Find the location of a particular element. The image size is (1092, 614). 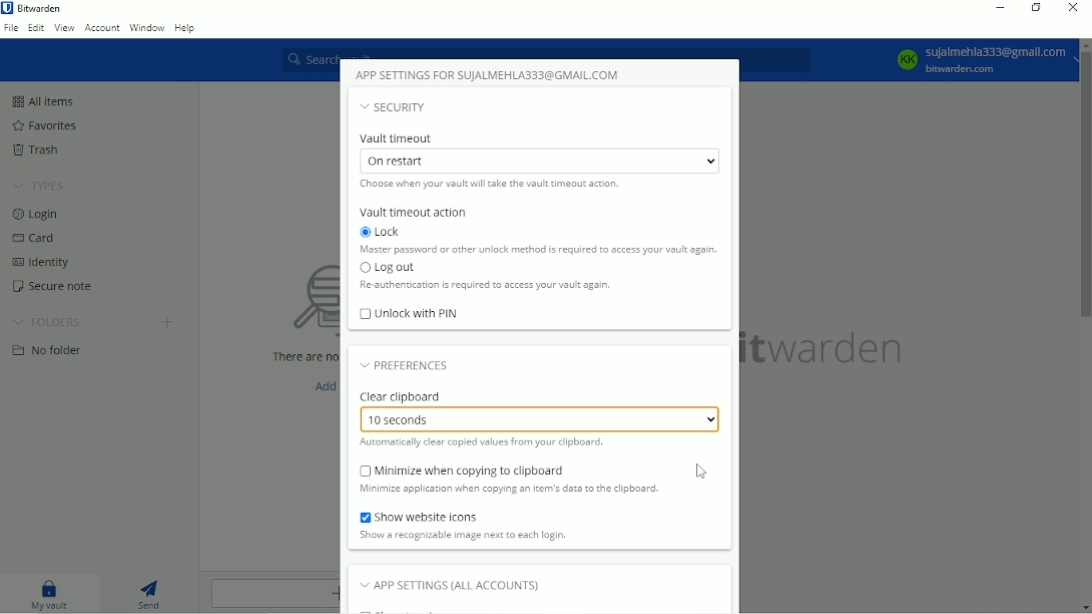

On restart is located at coordinates (535, 160).